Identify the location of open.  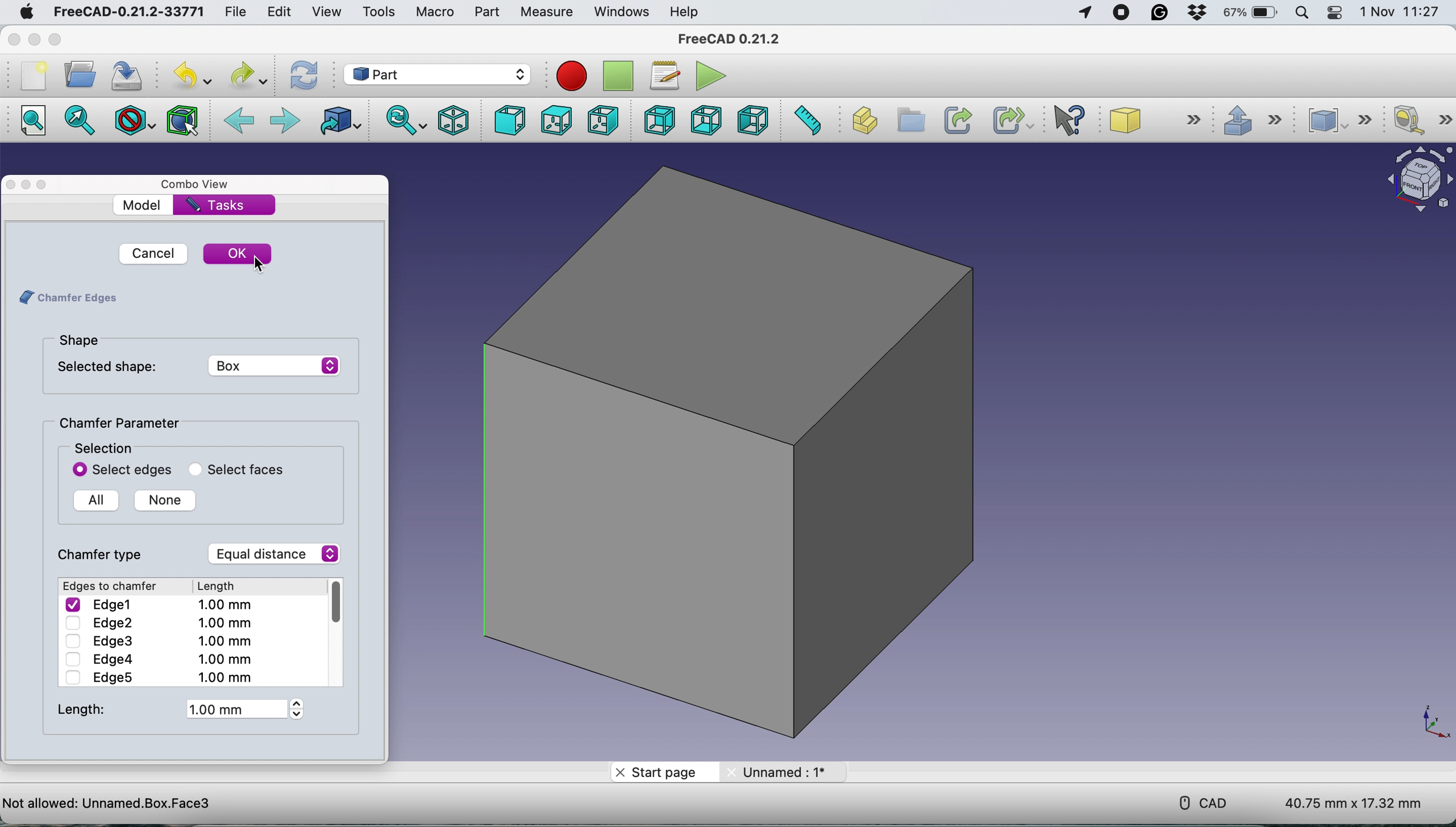
(81, 75).